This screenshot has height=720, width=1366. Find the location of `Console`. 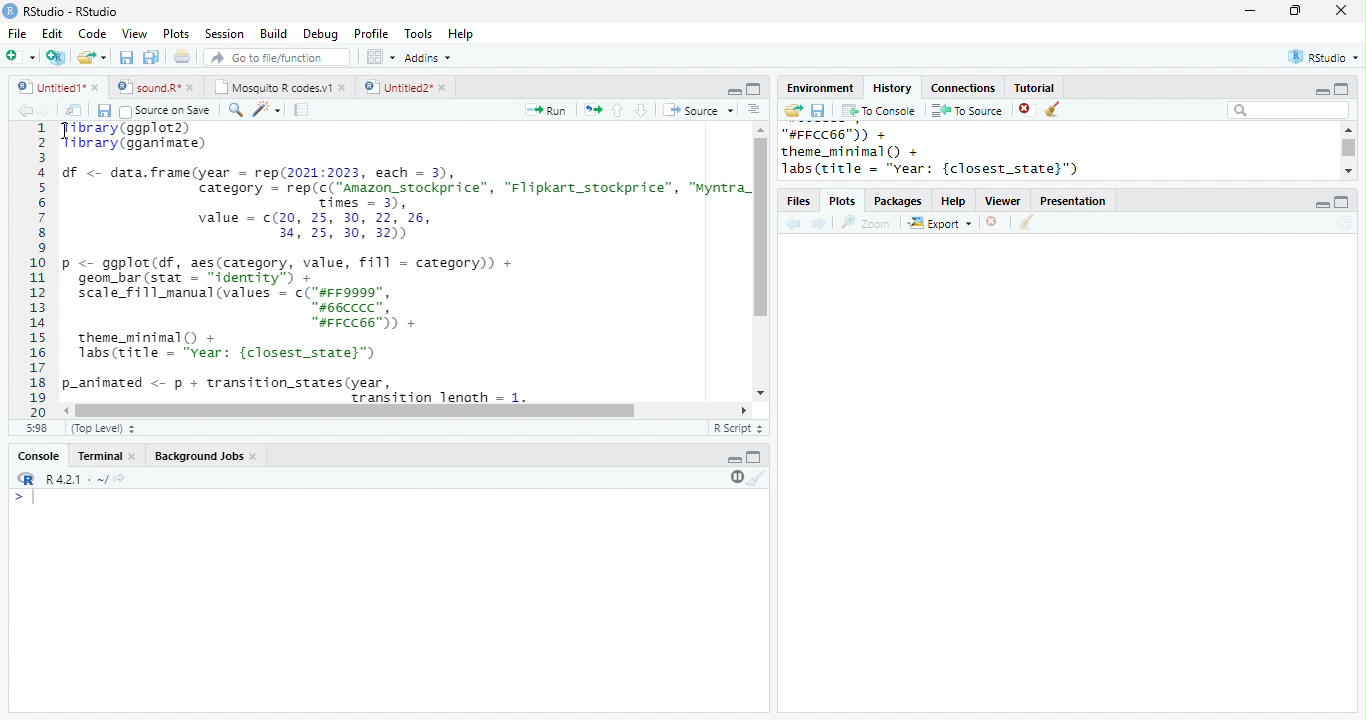

Console is located at coordinates (38, 456).